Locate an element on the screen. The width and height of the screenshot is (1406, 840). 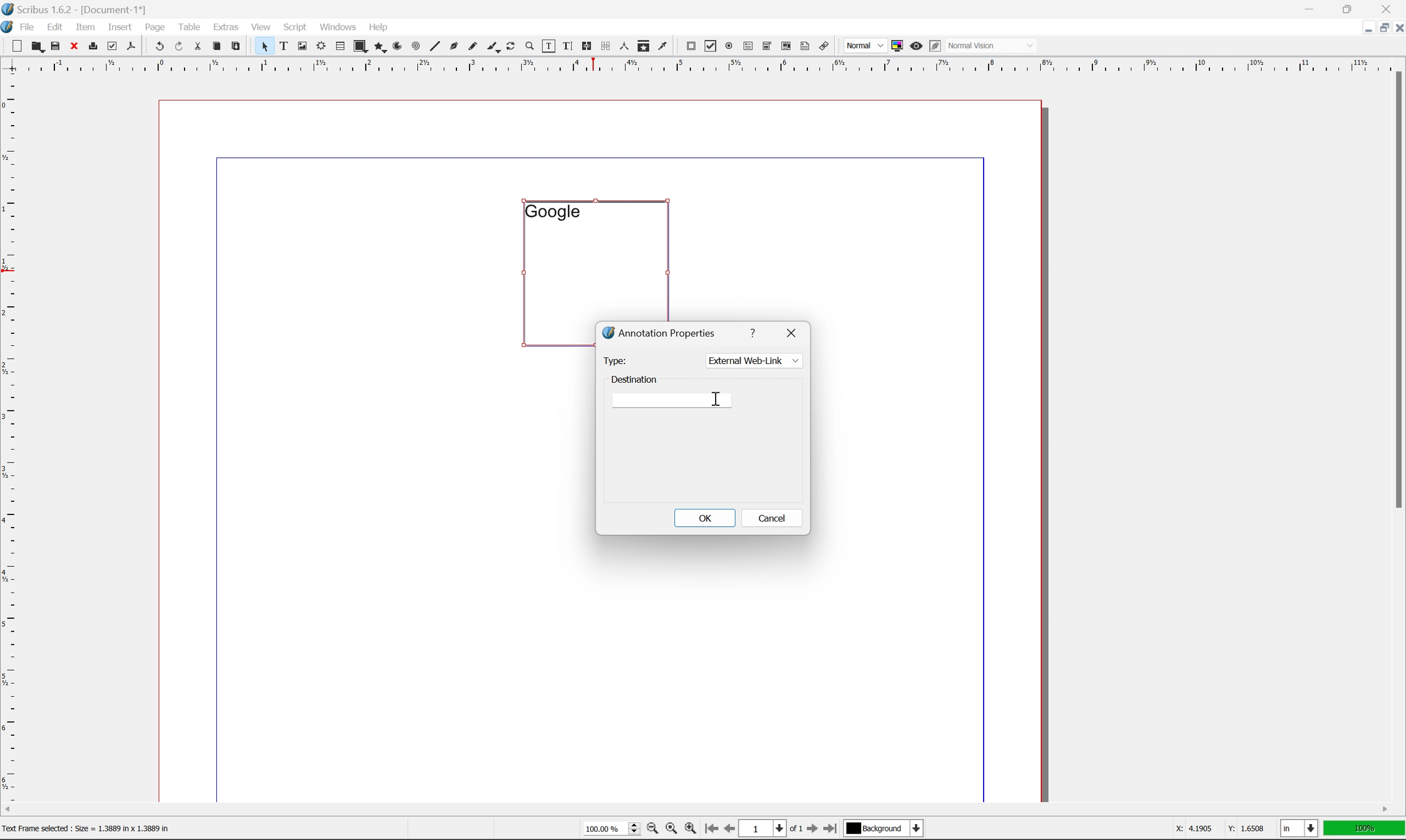
paste is located at coordinates (237, 46).